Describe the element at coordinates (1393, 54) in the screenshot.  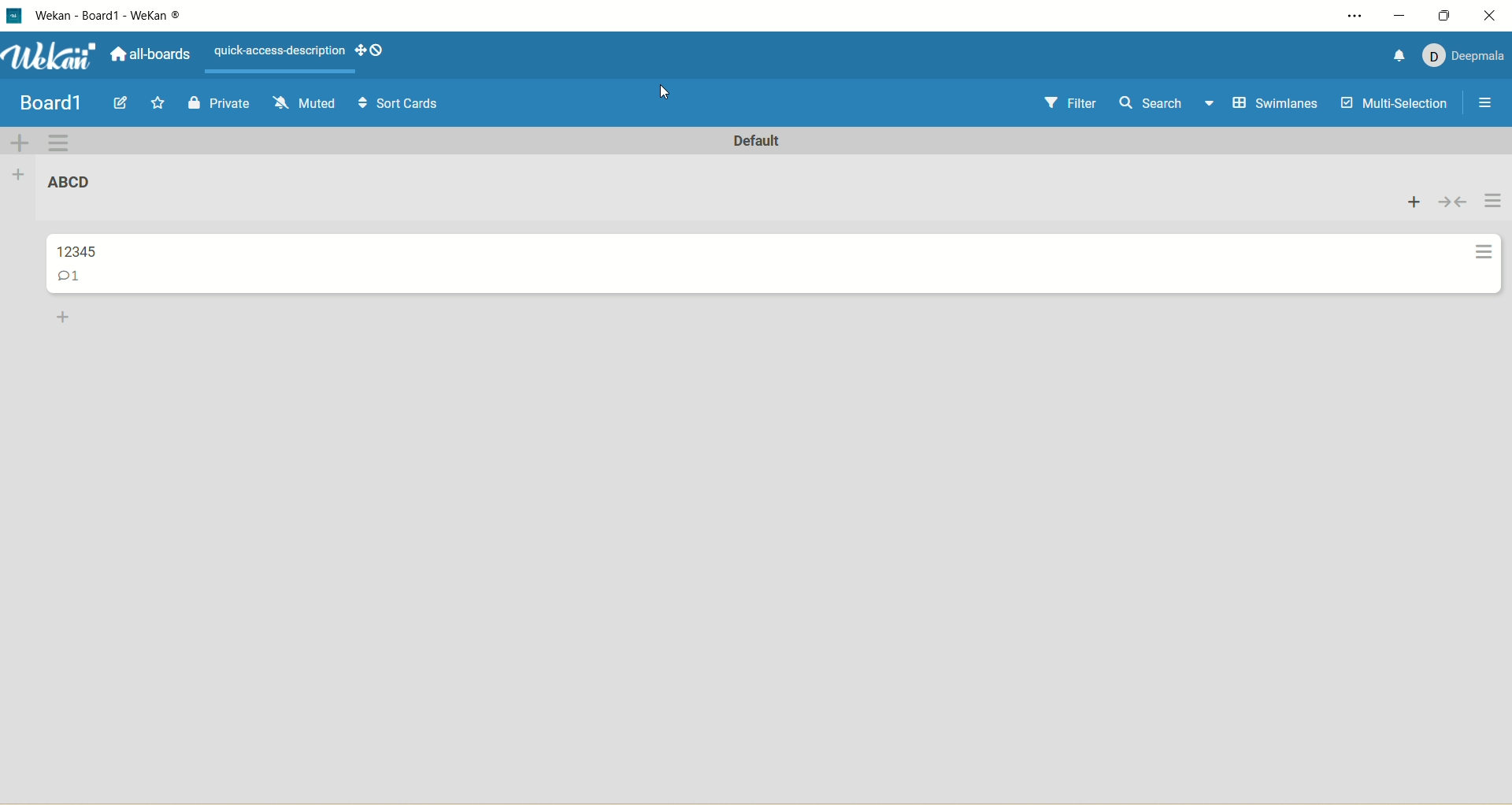
I see `notification` at that location.